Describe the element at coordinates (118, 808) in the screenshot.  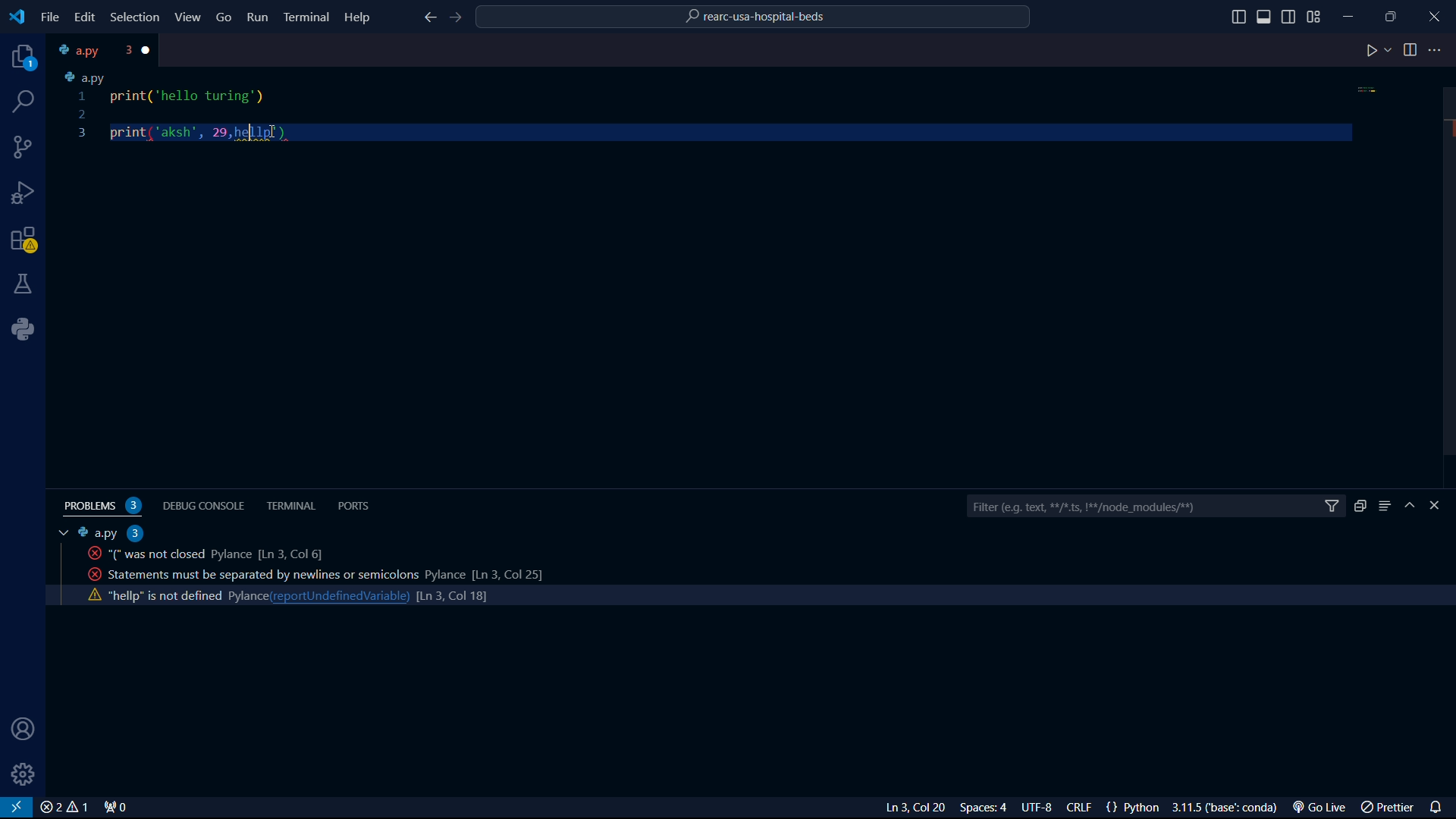
I see `connect 0` at that location.